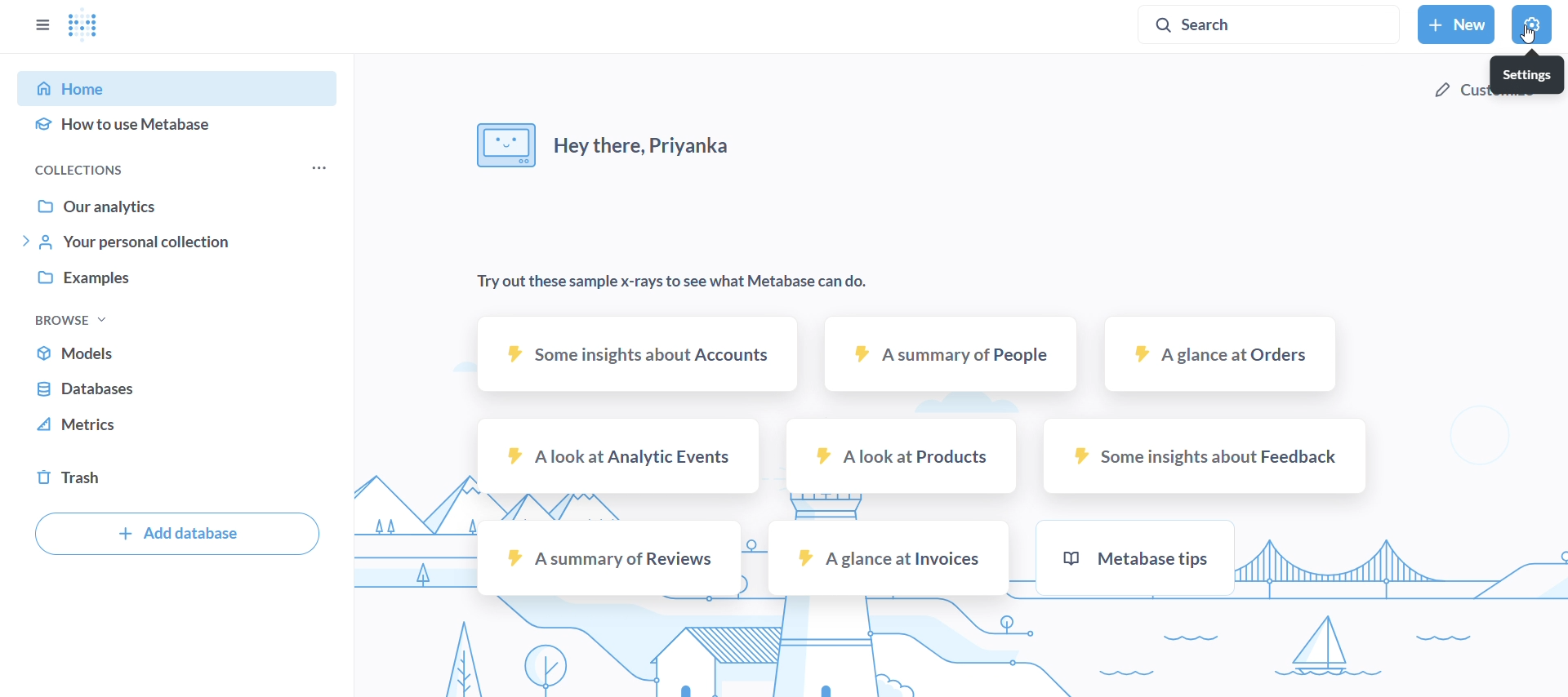  Describe the element at coordinates (179, 206) in the screenshot. I see `our analytics` at that location.